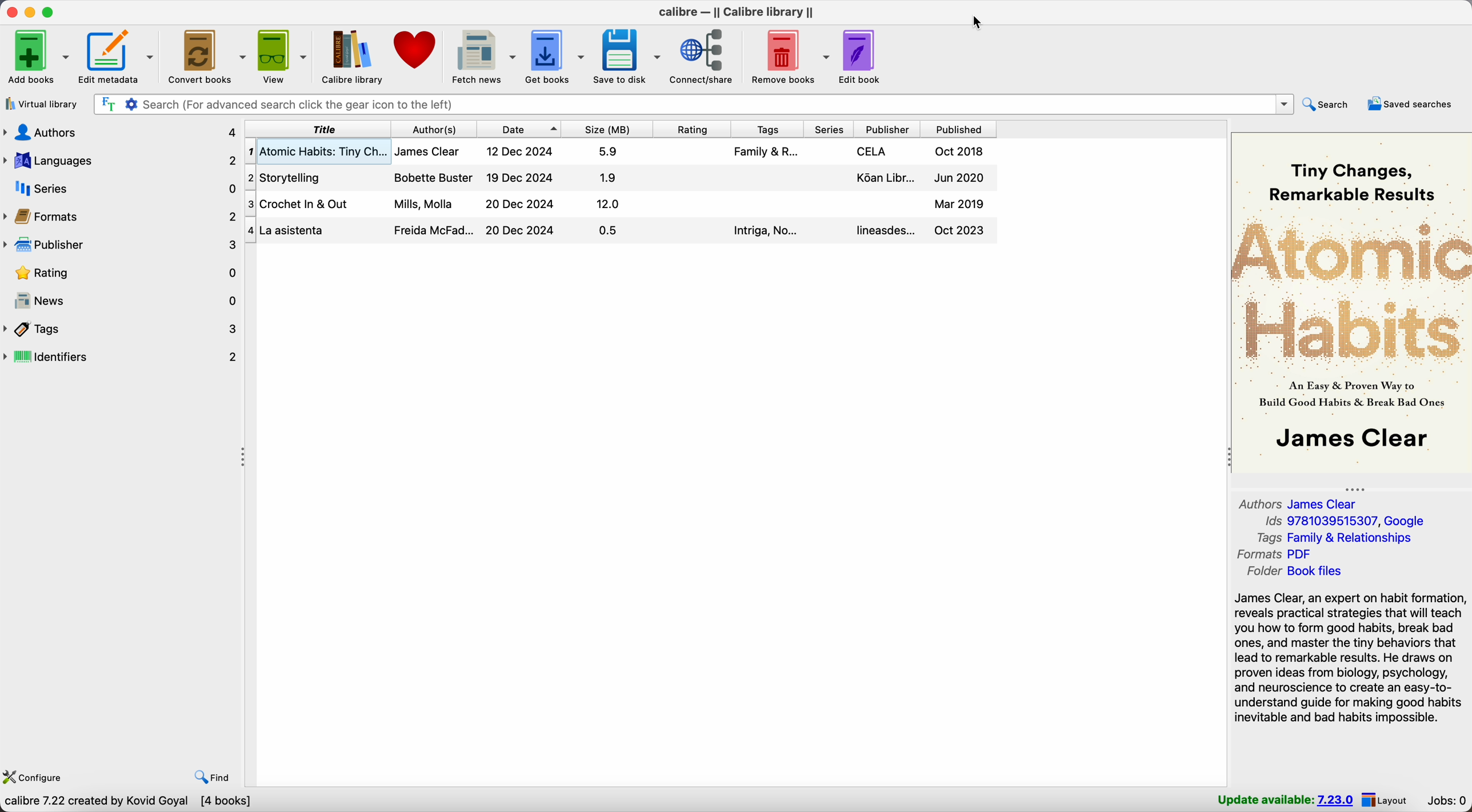 The height and width of the screenshot is (812, 1472). What do you see at coordinates (1329, 105) in the screenshot?
I see `search` at bounding box center [1329, 105].